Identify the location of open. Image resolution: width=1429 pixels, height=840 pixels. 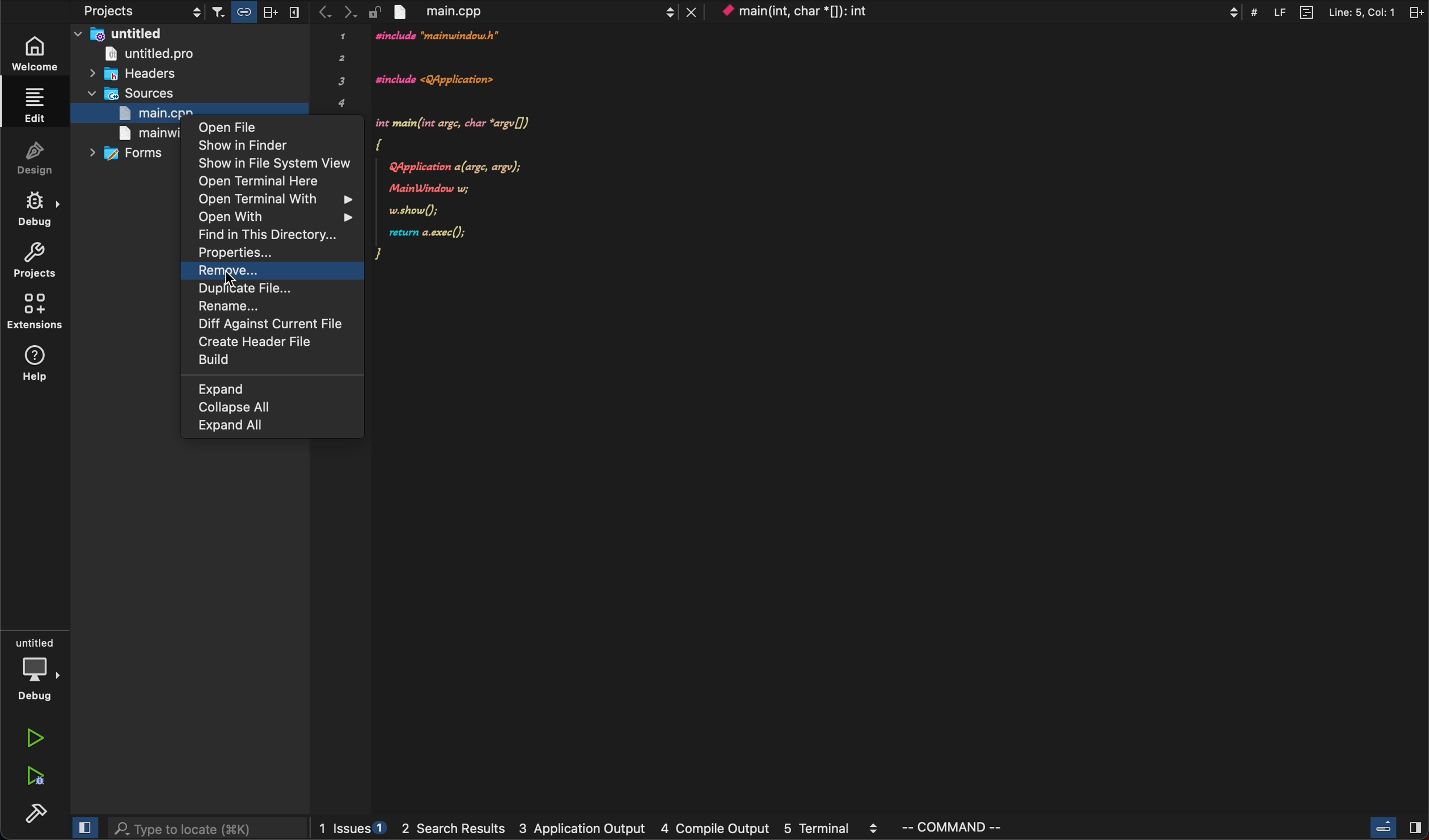
(239, 129).